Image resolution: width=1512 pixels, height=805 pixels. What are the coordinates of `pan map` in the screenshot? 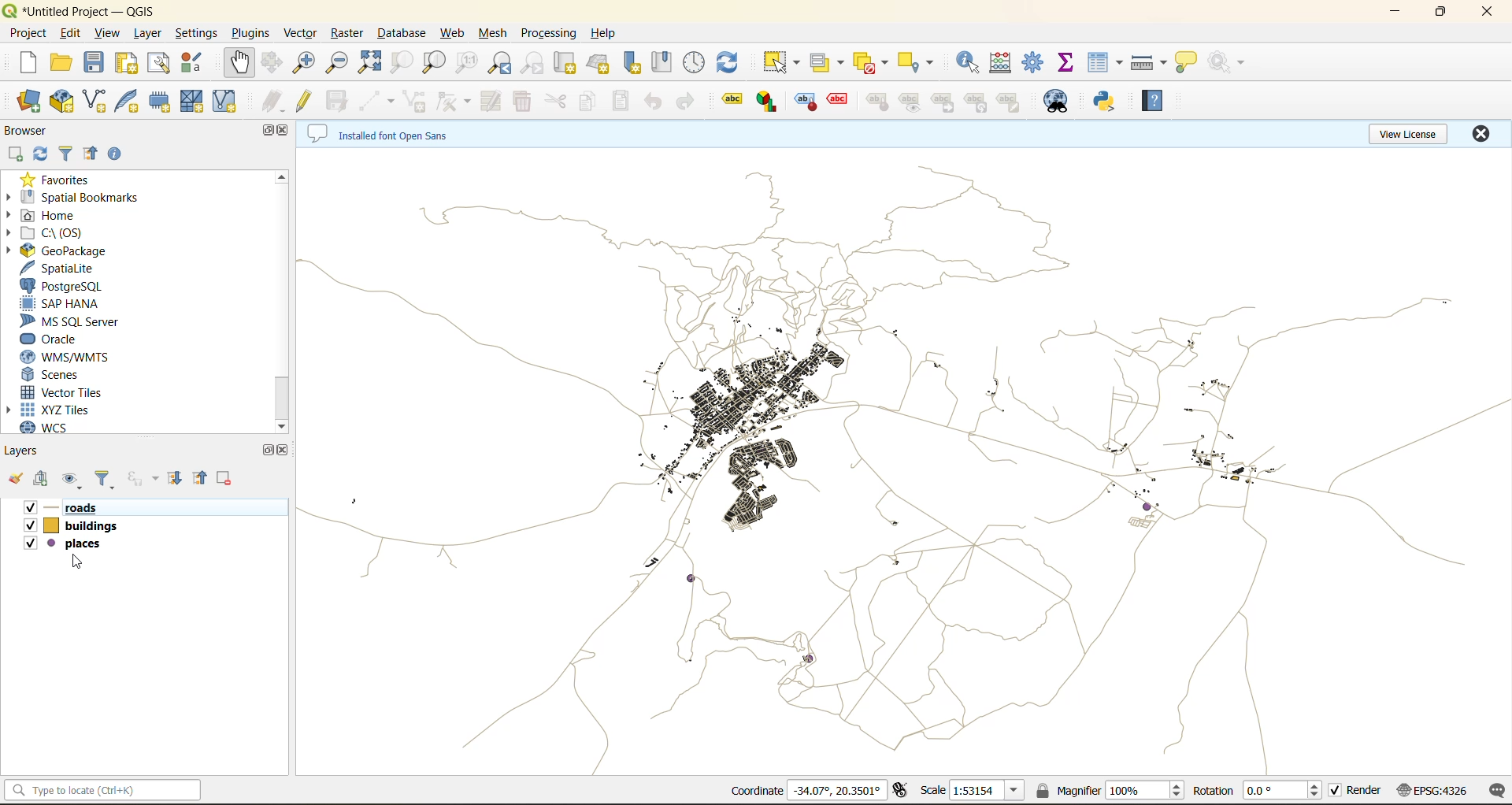 It's located at (246, 64).